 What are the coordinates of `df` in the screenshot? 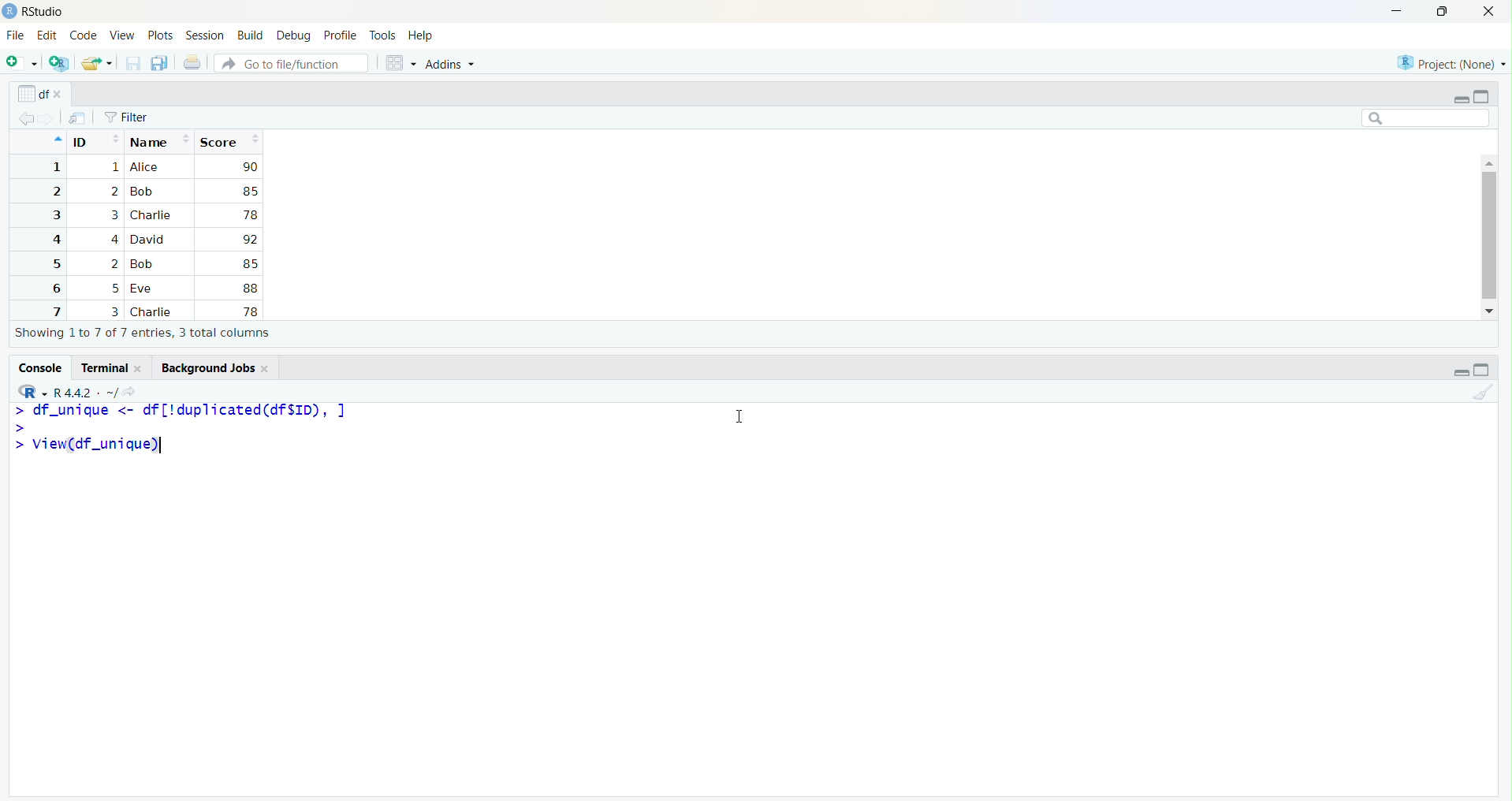 It's located at (32, 93).